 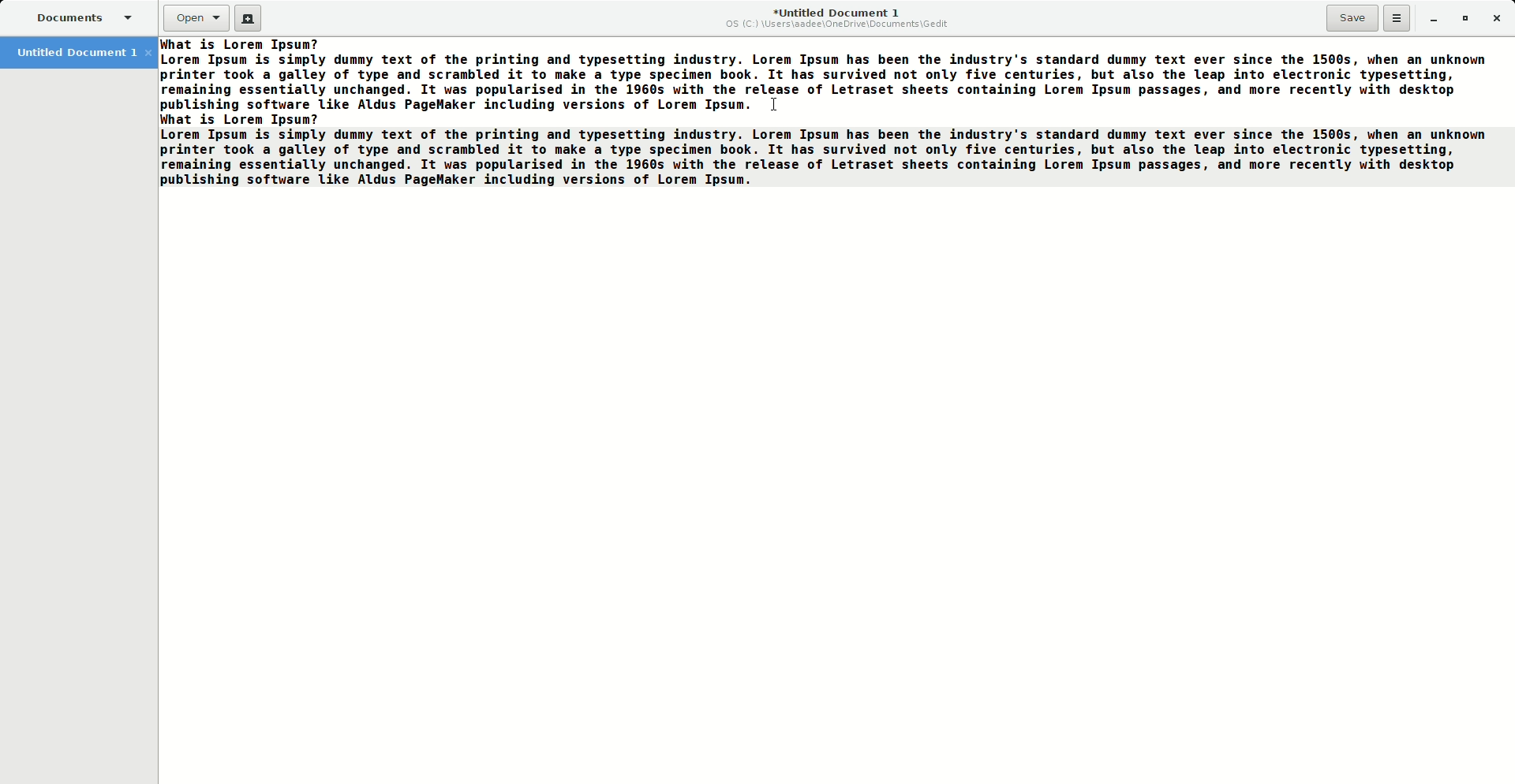 I want to click on Untitled Document 1, so click(x=838, y=18).